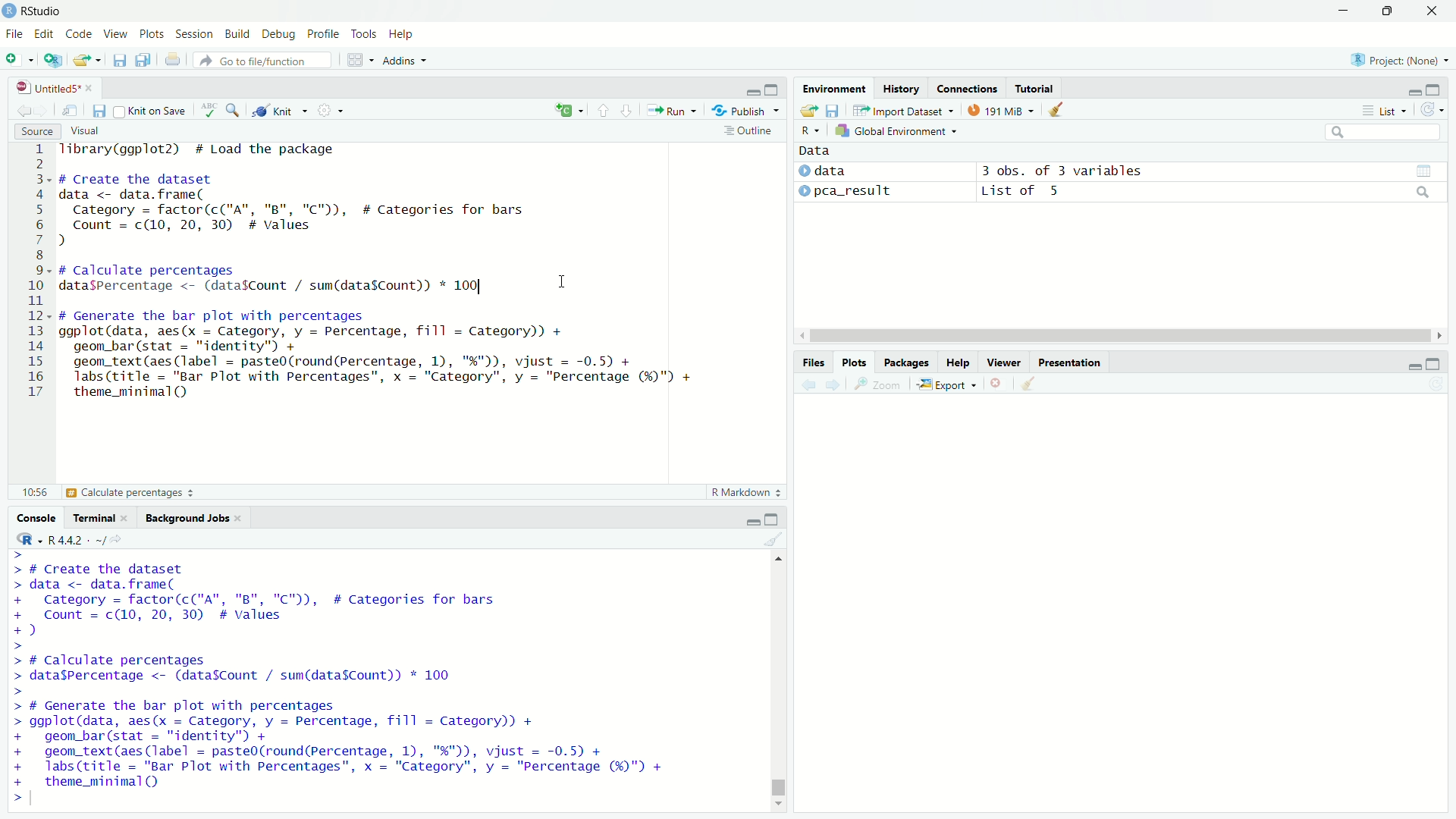 The image size is (1456, 819). I want to click on 3 obs. of 3 variables, so click(1211, 171).